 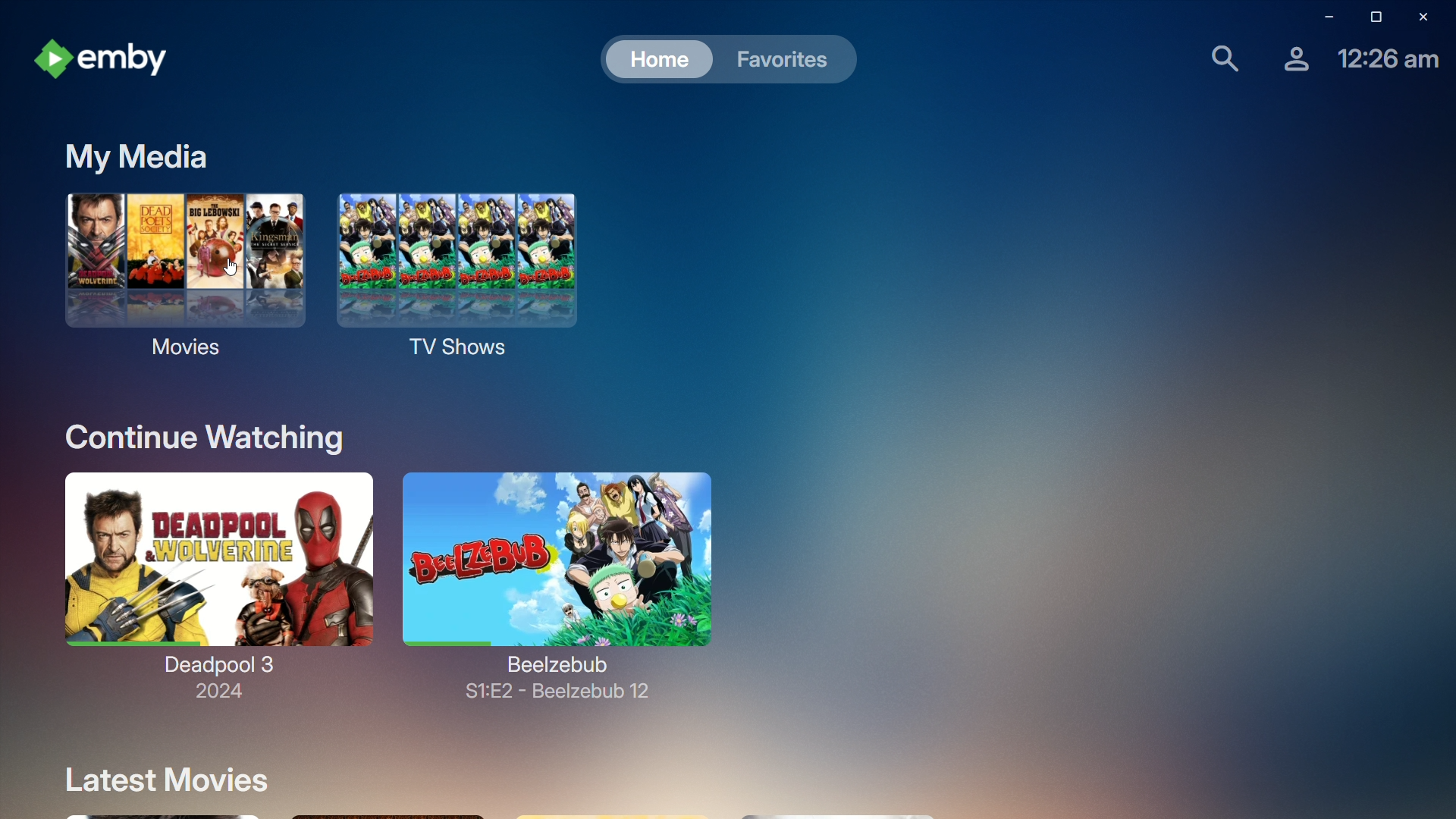 What do you see at coordinates (1288, 64) in the screenshot?
I see `Account` at bounding box center [1288, 64].